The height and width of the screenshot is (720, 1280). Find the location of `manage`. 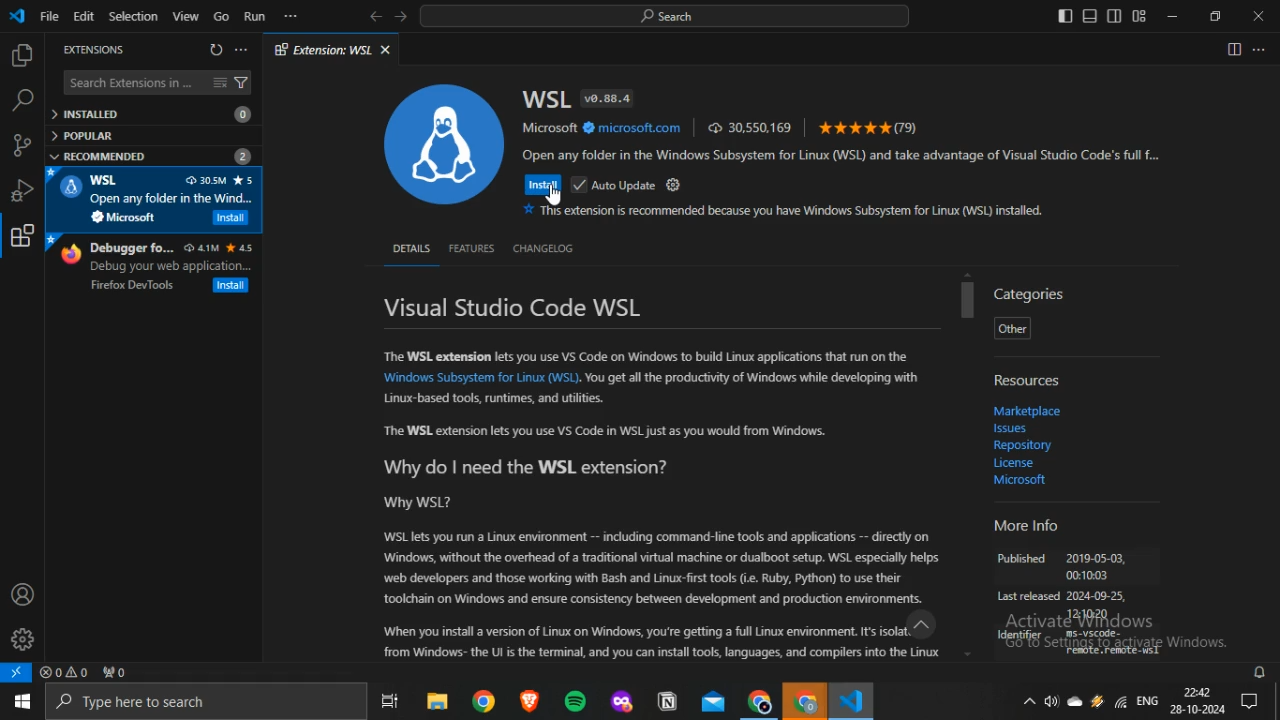

manage is located at coordinates (22, 639).